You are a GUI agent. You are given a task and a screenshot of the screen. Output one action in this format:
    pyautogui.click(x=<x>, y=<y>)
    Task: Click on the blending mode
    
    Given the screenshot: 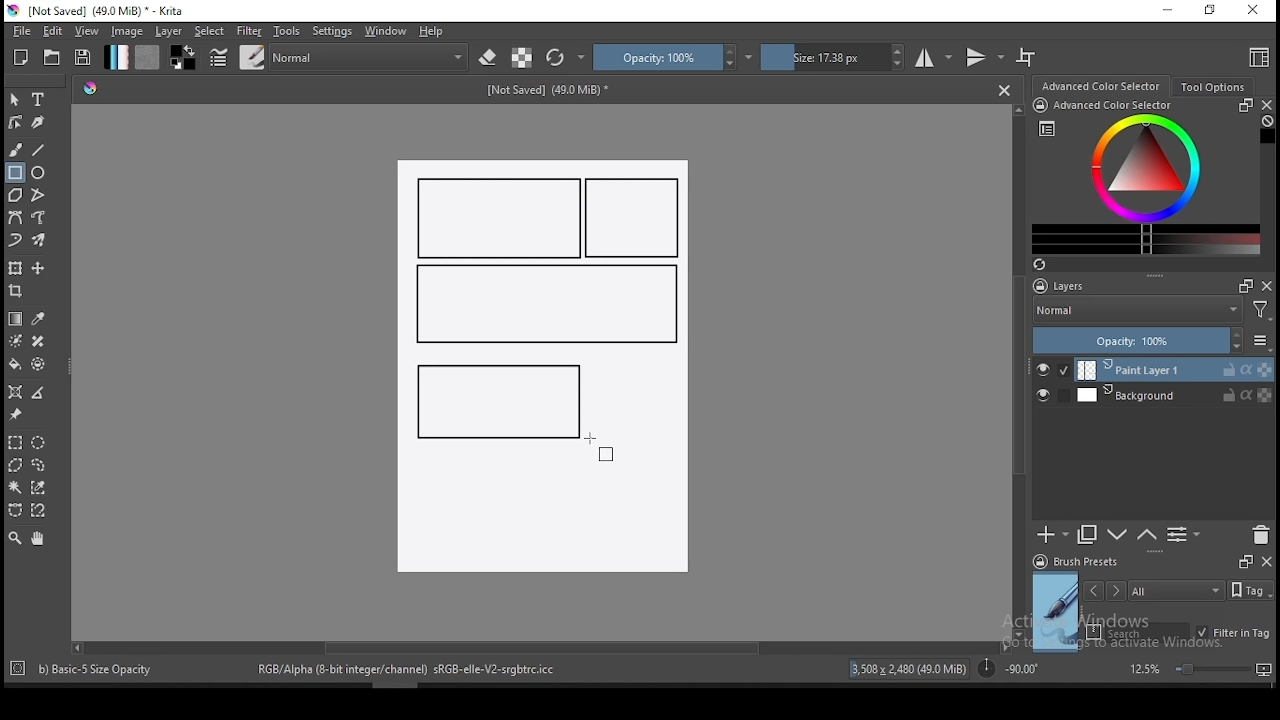 What is the action you would take?
    pyautogui.click(x=1136, y=312)
    